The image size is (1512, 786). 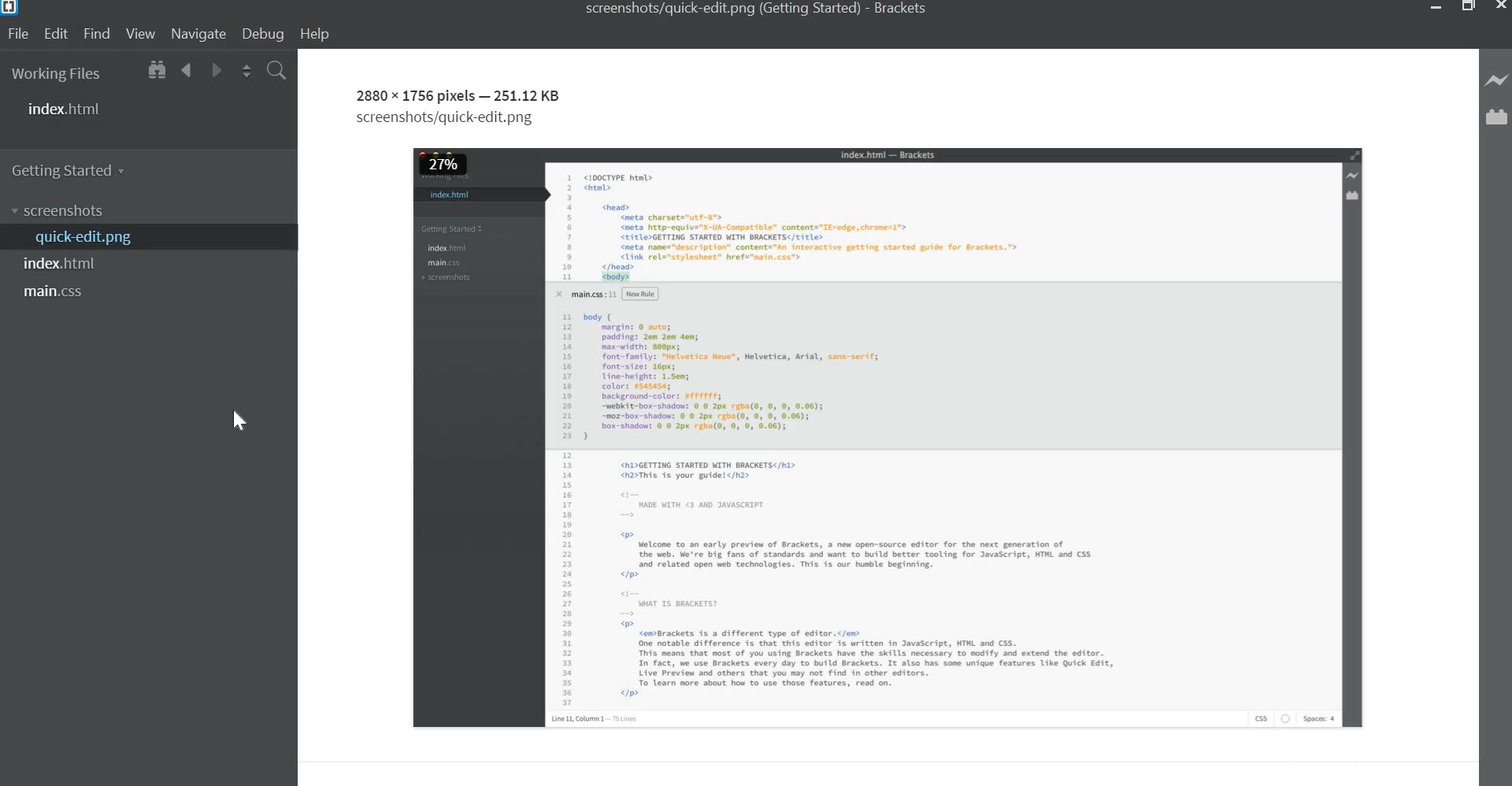 What do you see at coordinates (74, 169) in the screenshot?
I see `Getting Started` at bounding box center [74, 169].